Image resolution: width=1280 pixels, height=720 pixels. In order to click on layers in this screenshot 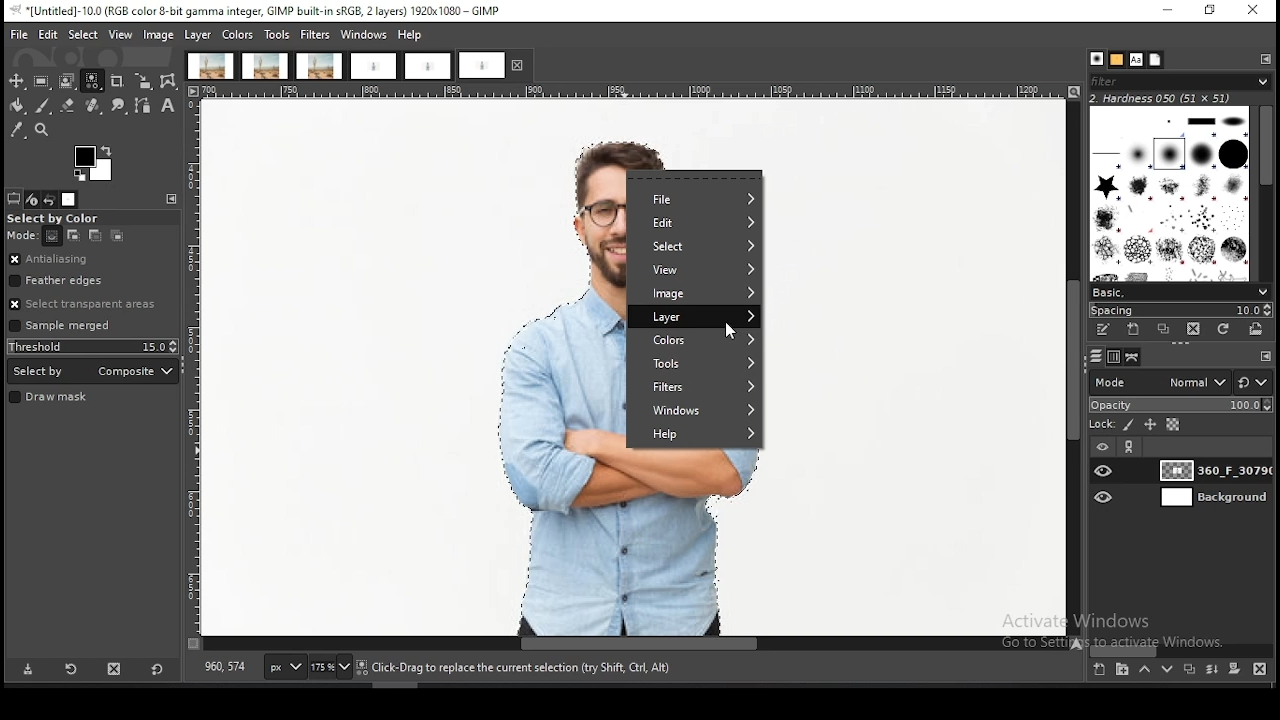, I will do `click(1096, 357)`.